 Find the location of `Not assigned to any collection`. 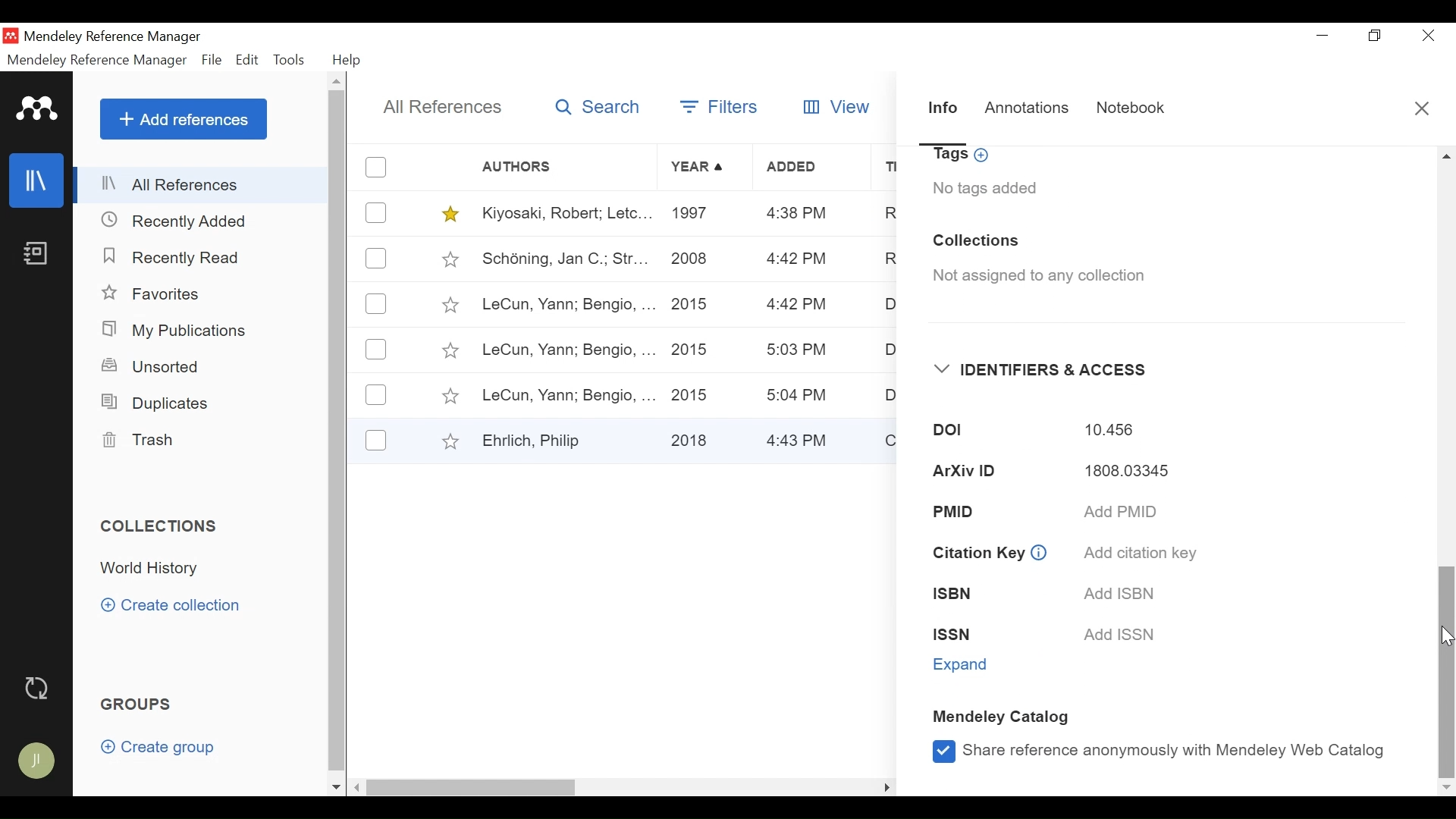

Not assigned to any collection is located at coordinates (1033, 277).